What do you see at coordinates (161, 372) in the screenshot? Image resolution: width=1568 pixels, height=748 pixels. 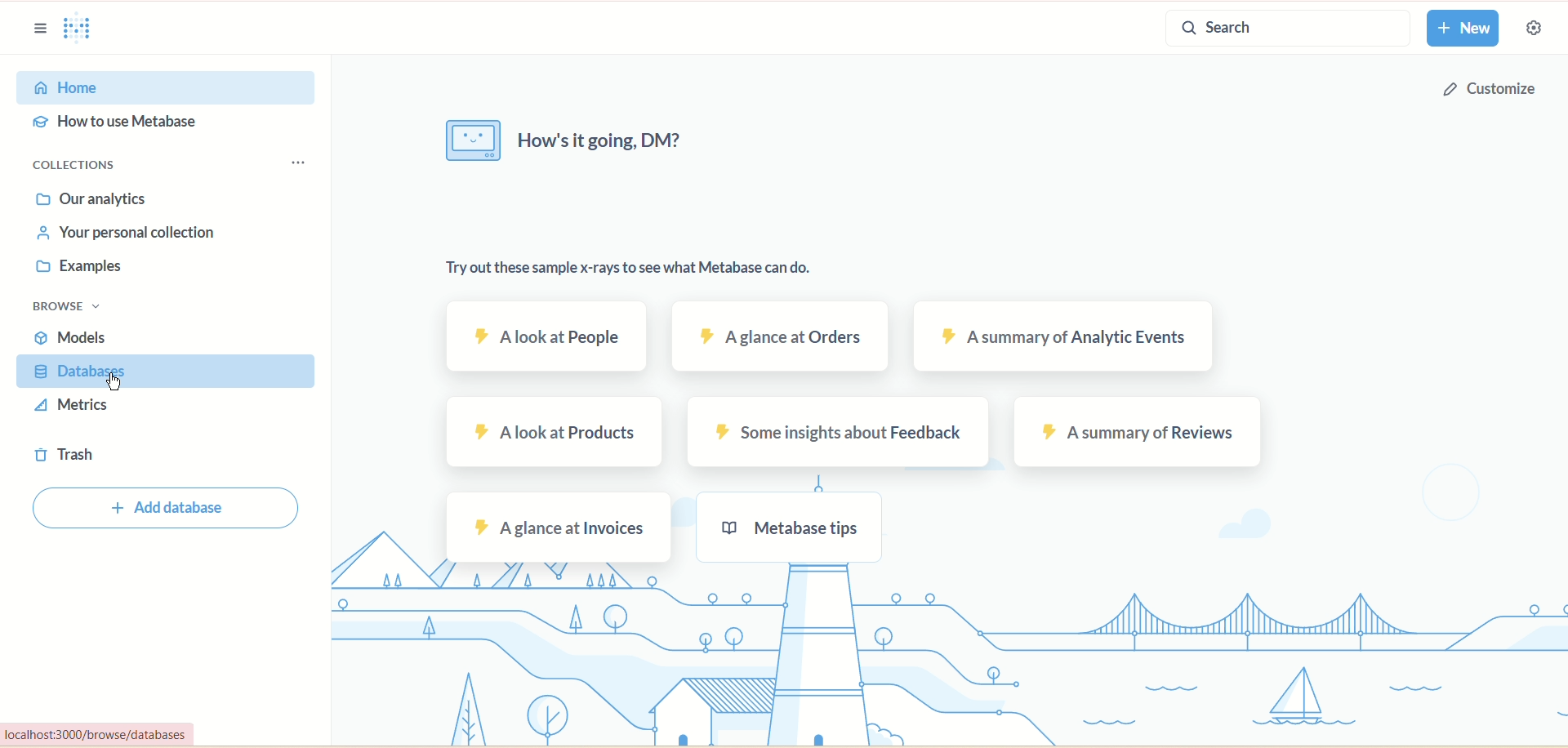 I see `database` at bounding box center [161, 372].